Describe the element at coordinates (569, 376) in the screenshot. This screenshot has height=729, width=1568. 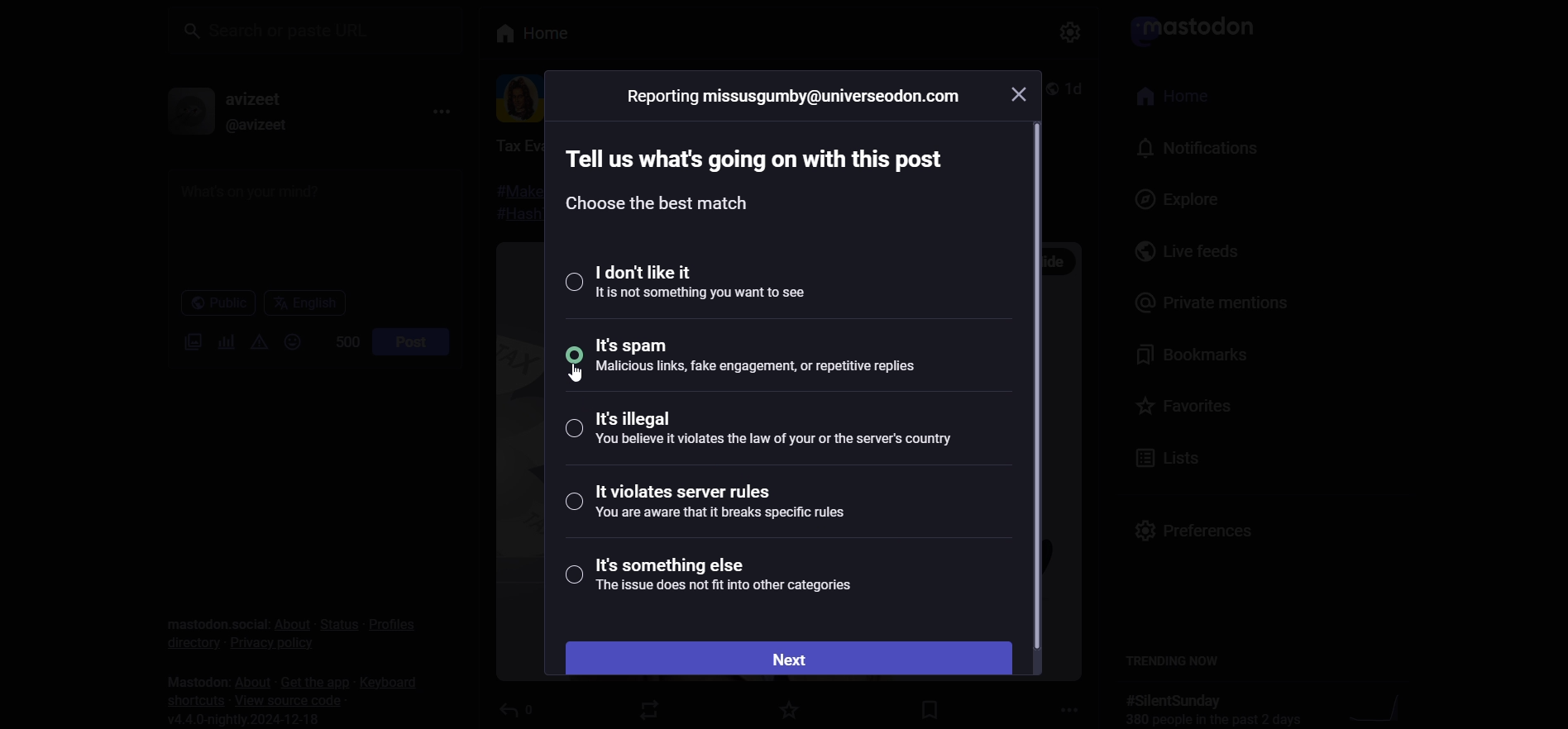
I see `cursor` at that location.